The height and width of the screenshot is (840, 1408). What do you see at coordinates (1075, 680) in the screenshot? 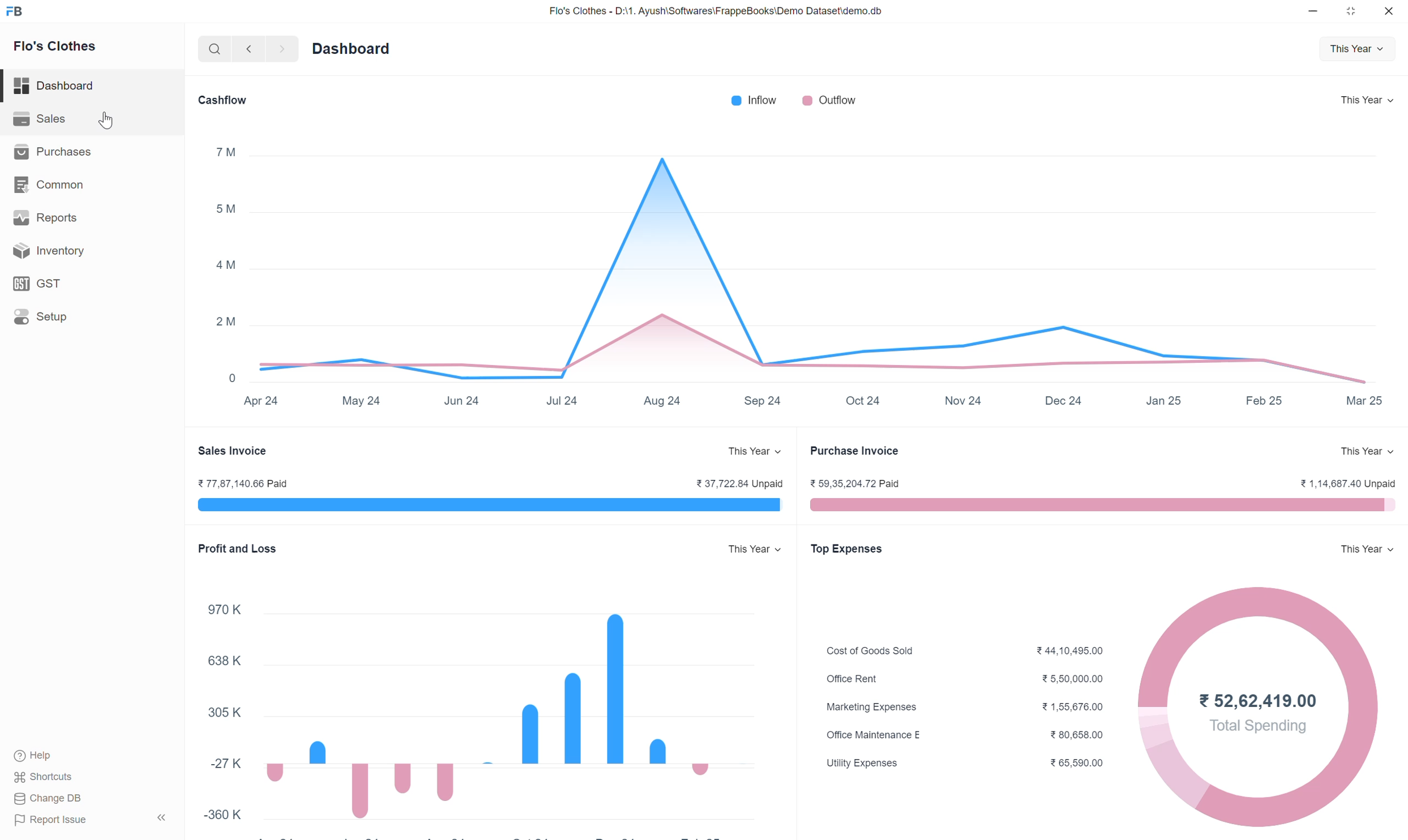
I see `RS. 5,50,000.00` at bounding box center [1075, 680].